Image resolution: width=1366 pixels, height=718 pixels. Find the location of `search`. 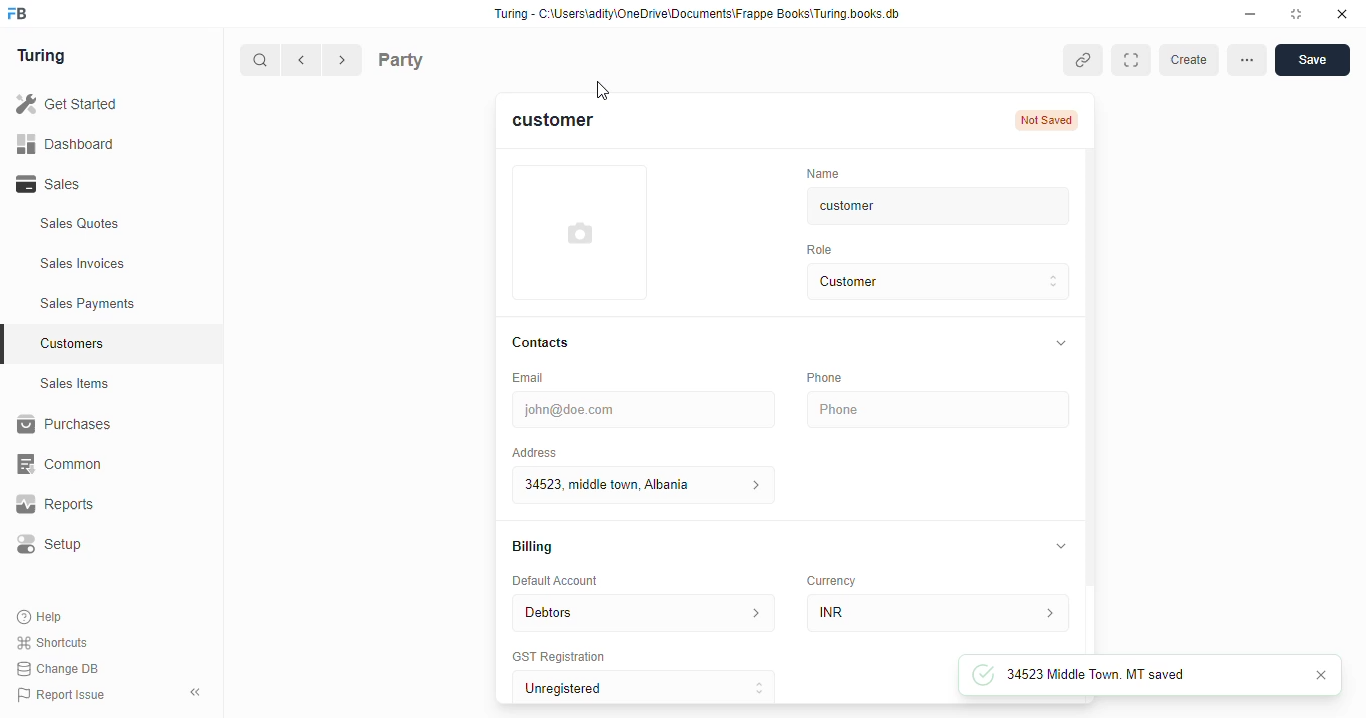

search is located at coordinates (261, 62).